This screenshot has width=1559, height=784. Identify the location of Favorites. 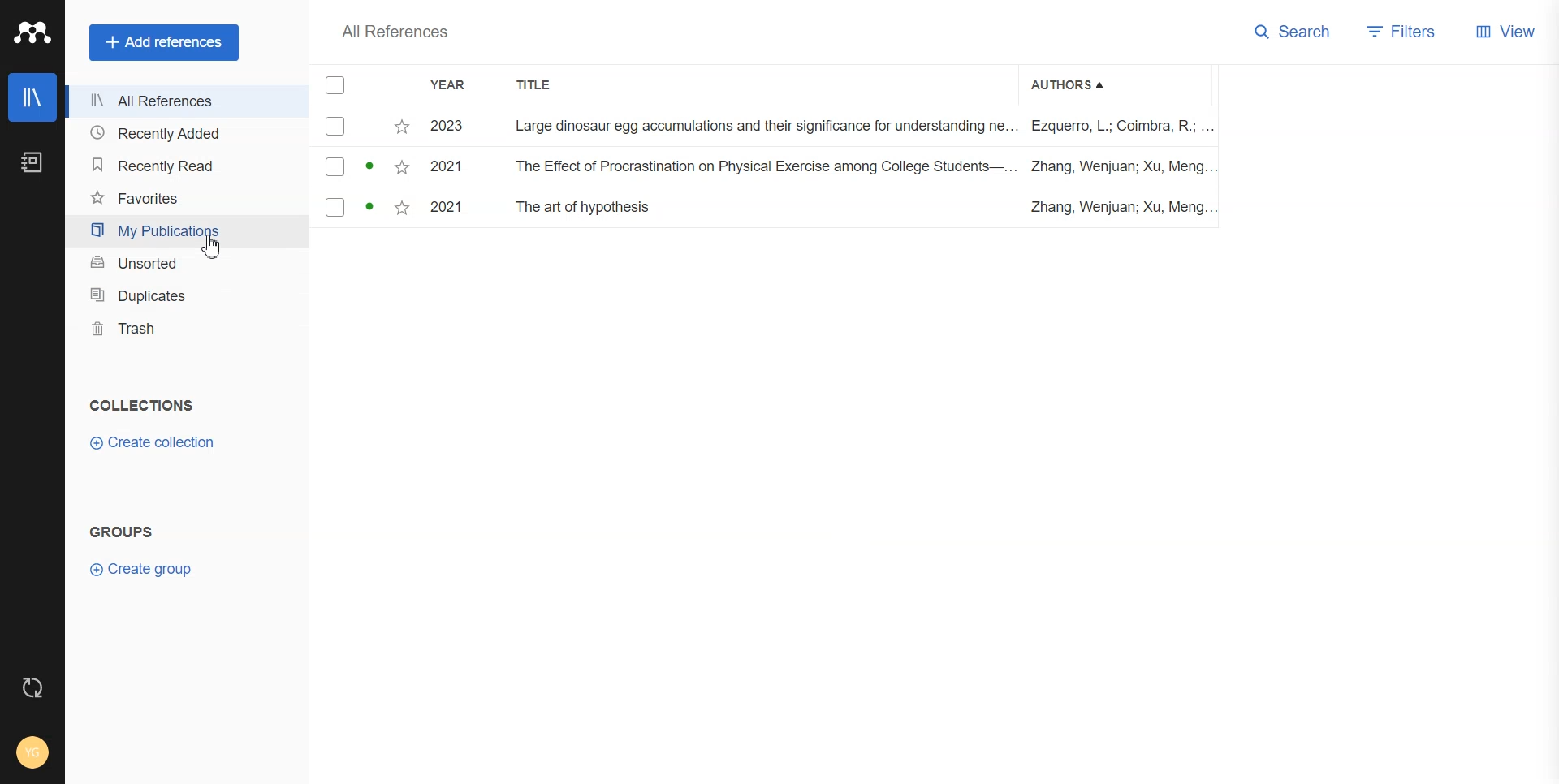
(180, 199).